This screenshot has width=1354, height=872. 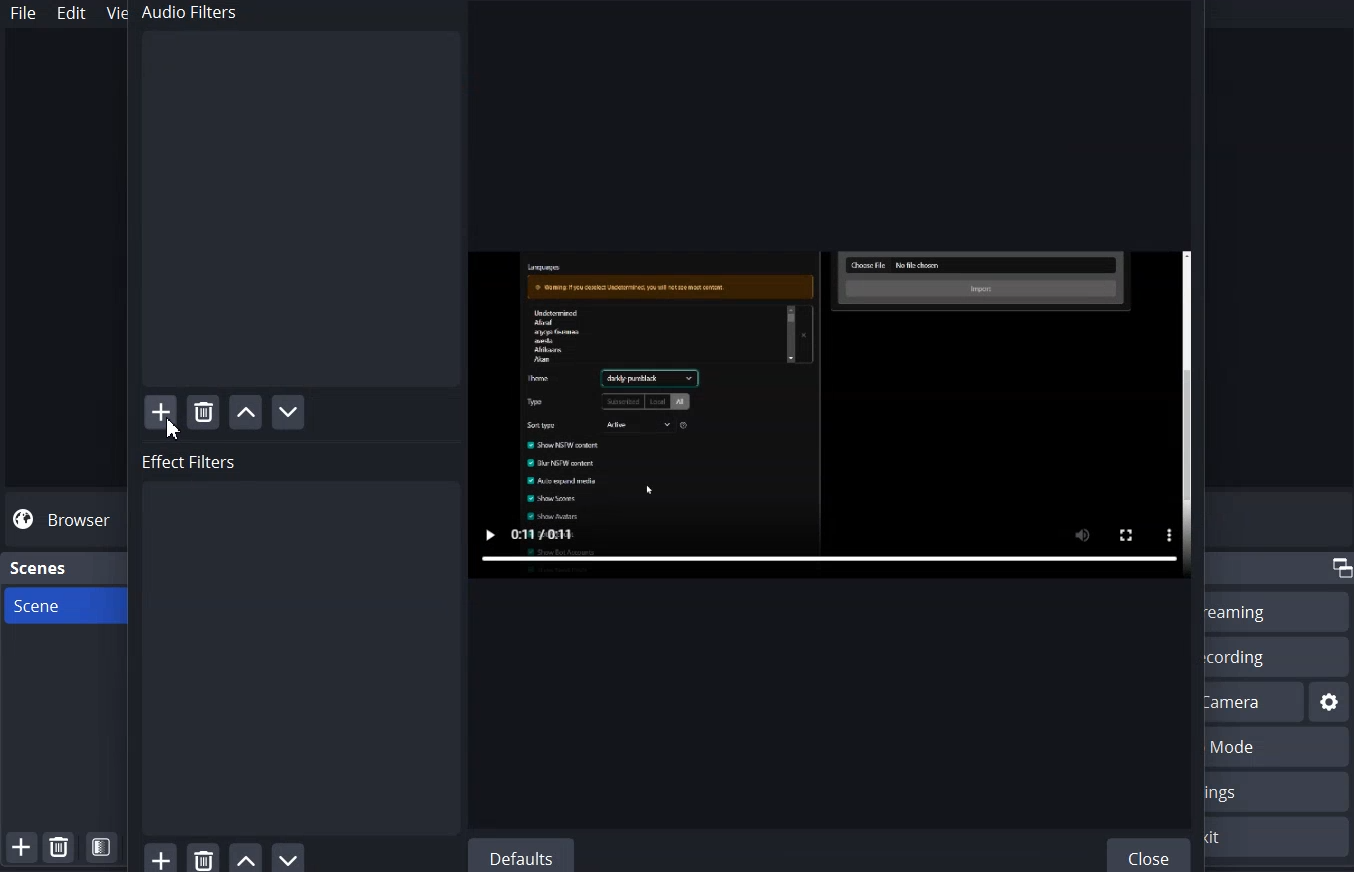 What do you see at coordinates (246, 857) in the screenshot?
I see `Move Filter Up` at bounding box center [246, 857].